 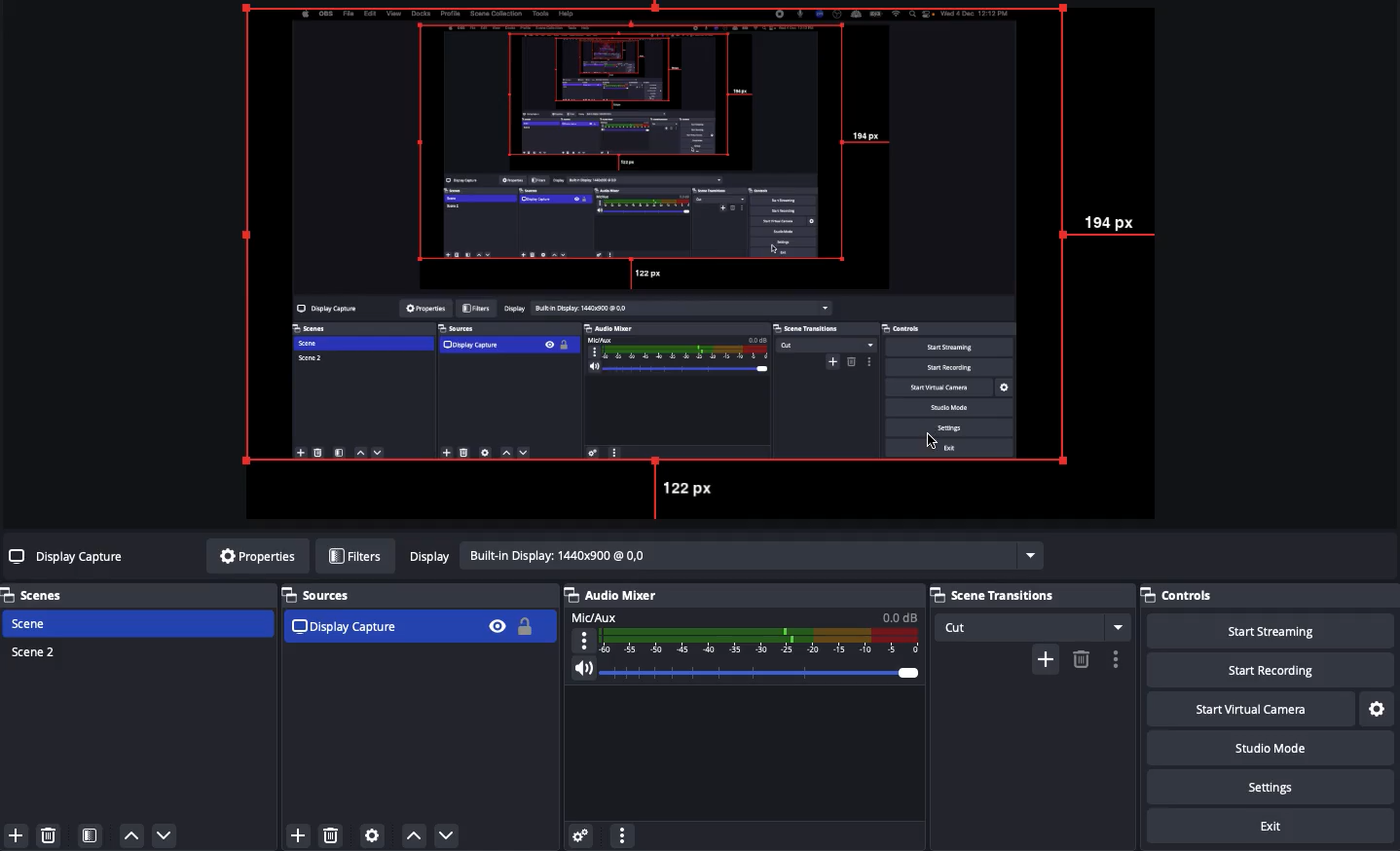 What do you see at coordinates (375, 835) in the screenshot?
I see `Source preferences` at bounding box center [375, 835].